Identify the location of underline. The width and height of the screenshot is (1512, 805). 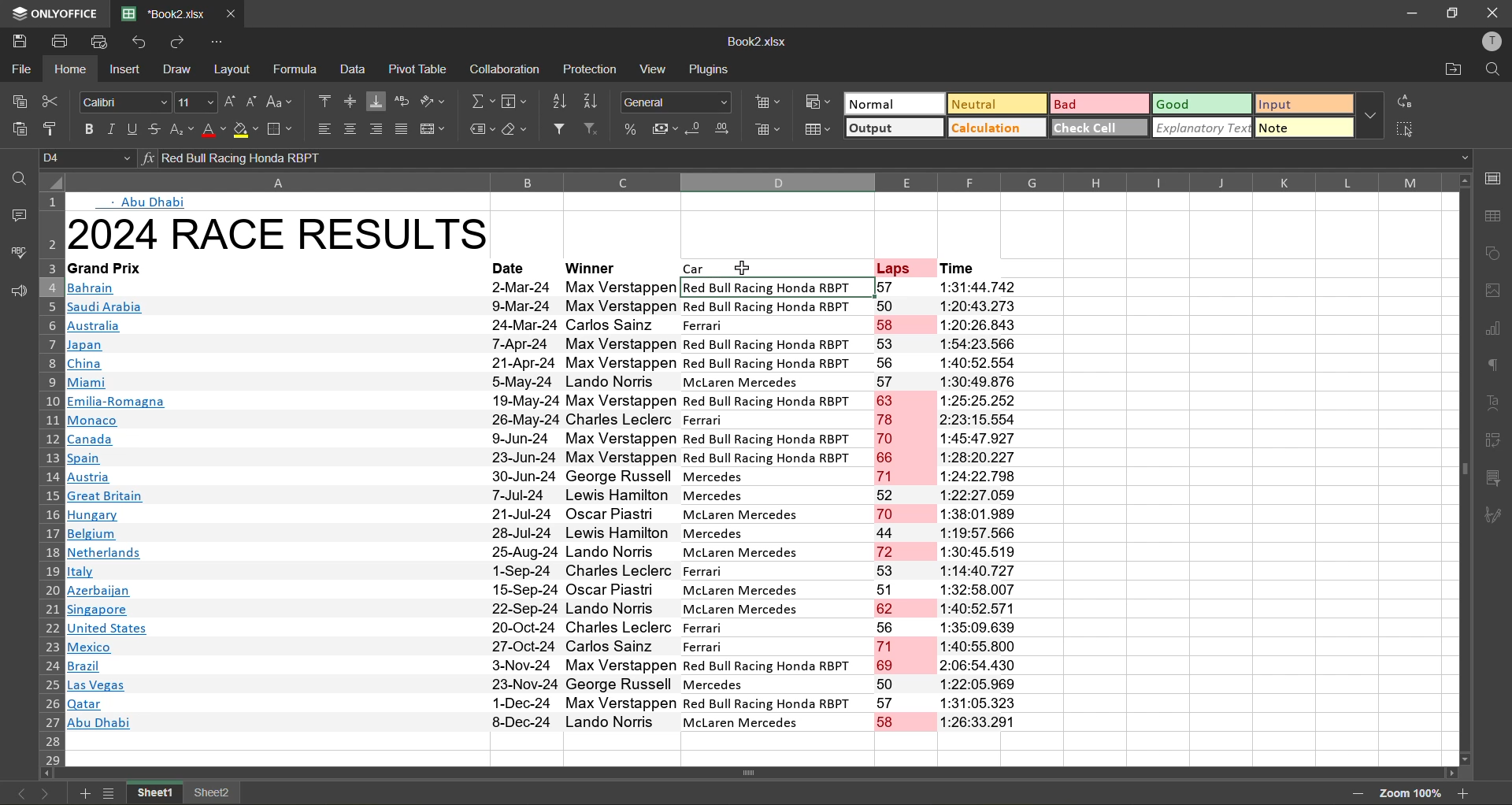
(136, 129).